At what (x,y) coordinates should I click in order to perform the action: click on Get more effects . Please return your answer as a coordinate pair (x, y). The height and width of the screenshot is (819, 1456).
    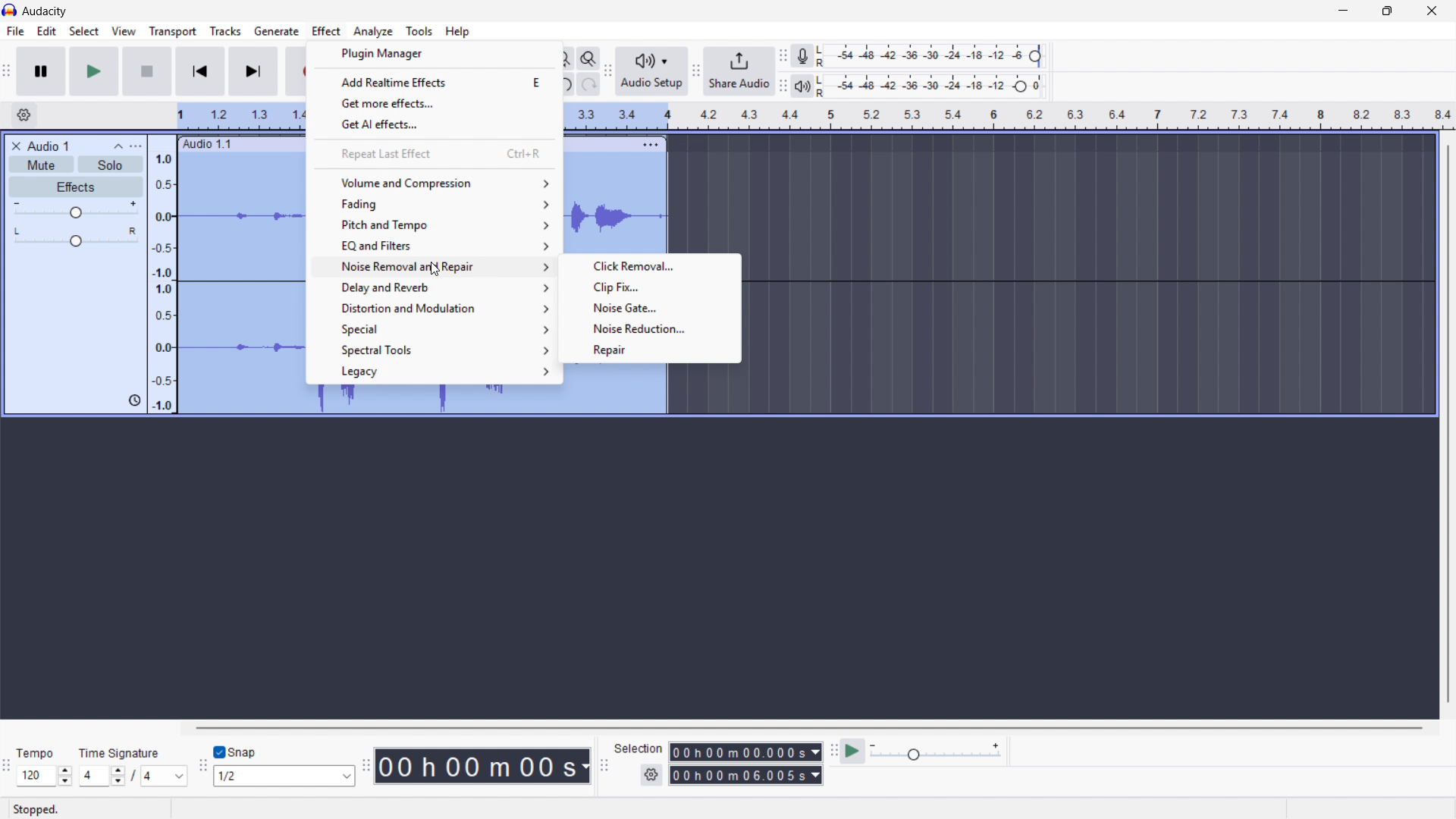
    Looking at the image, I should click on (436, 102).